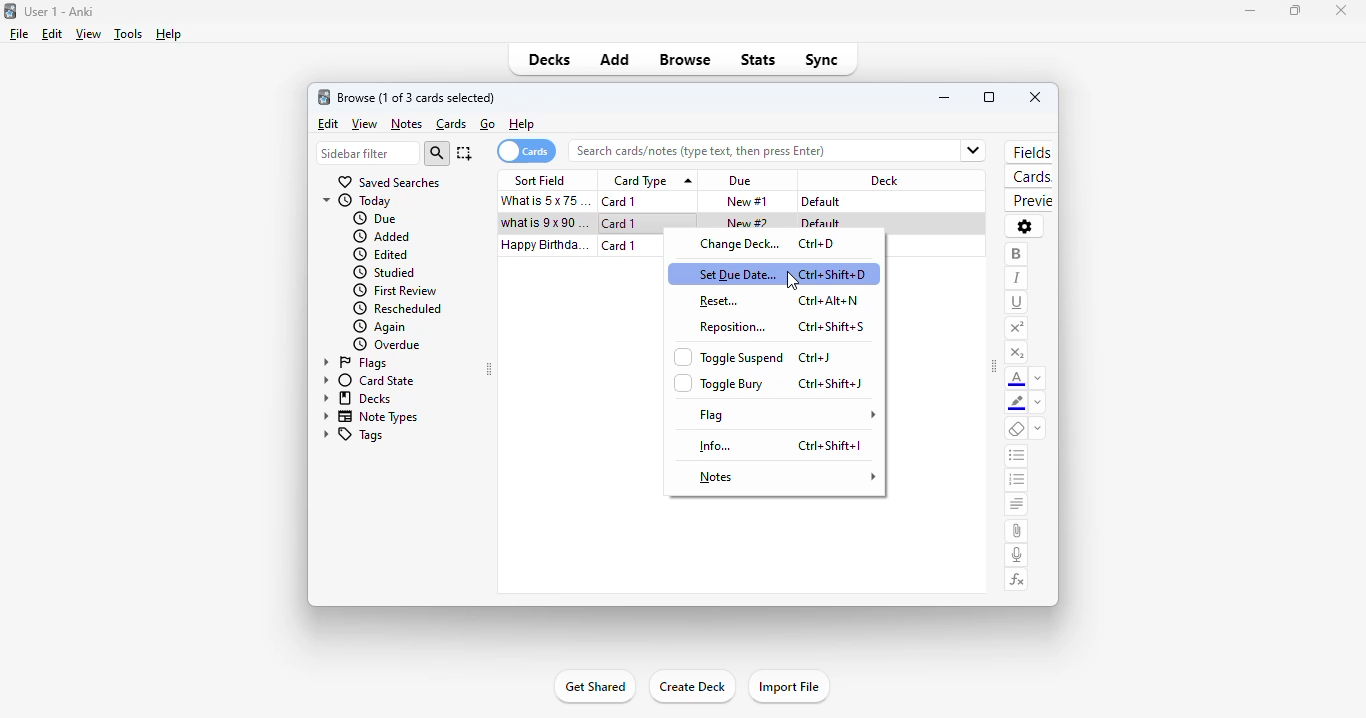  What do you see at coordinates (390, 183) in the screenshot?
I see `saved searches` at bounding box center [390, 183].